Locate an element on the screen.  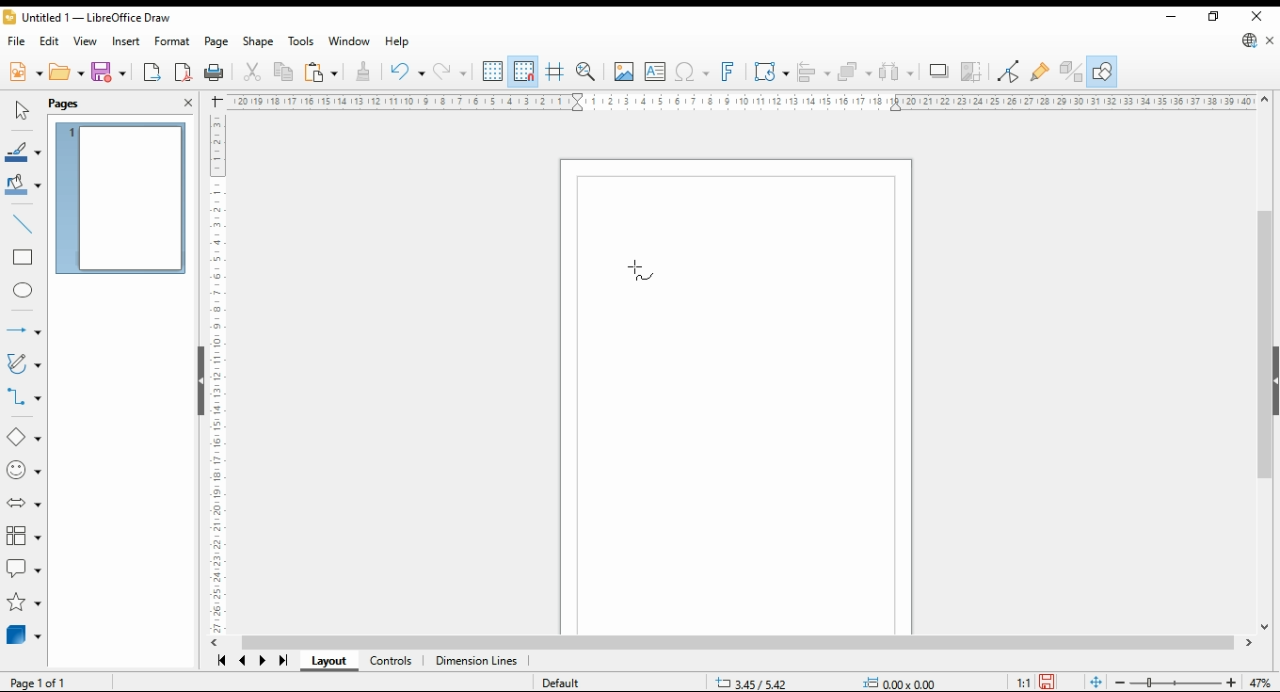
insert image is located at coordinates (623, 72).